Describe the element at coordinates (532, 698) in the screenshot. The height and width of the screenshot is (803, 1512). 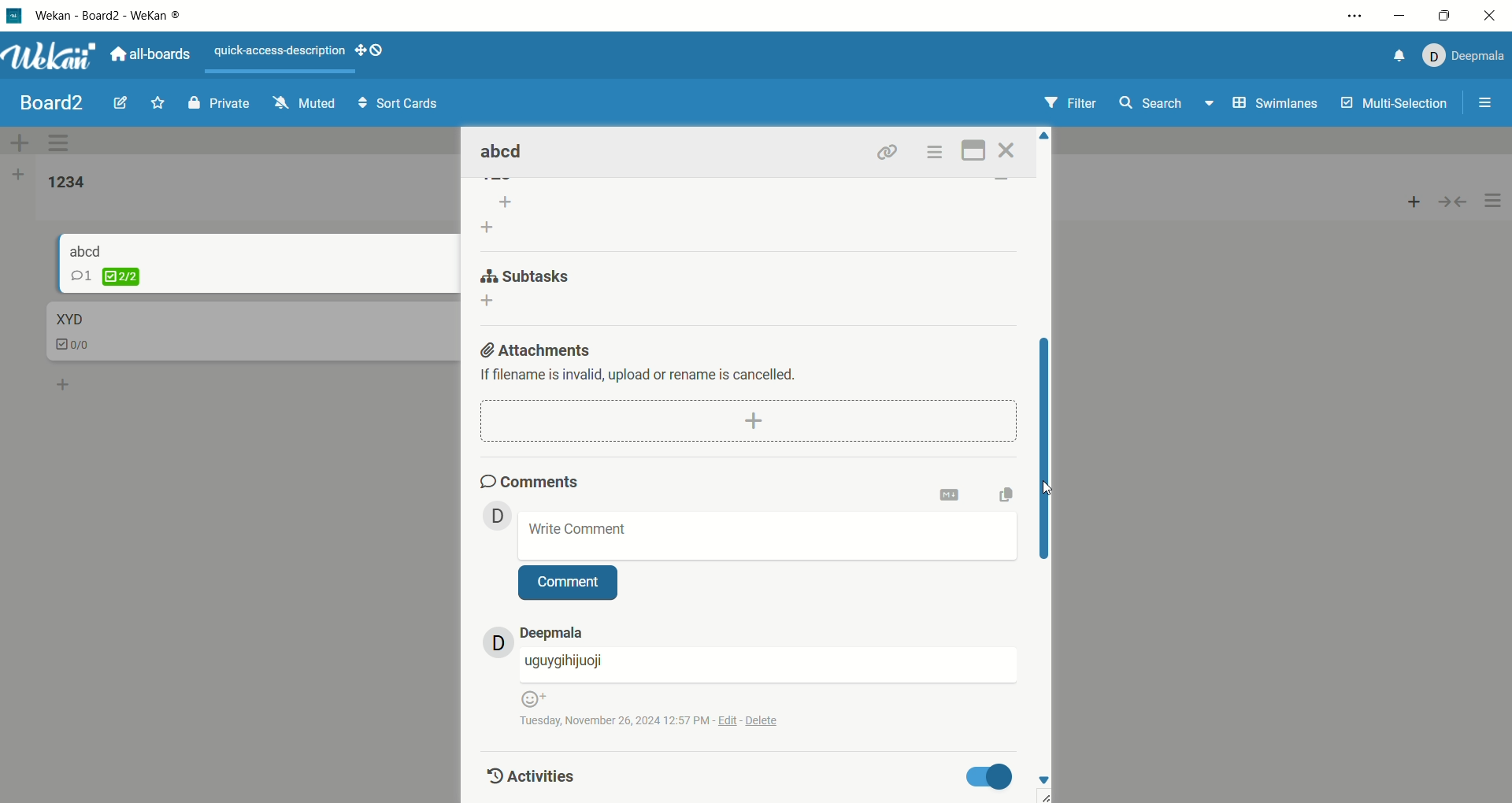
I see `emoji` at that location.